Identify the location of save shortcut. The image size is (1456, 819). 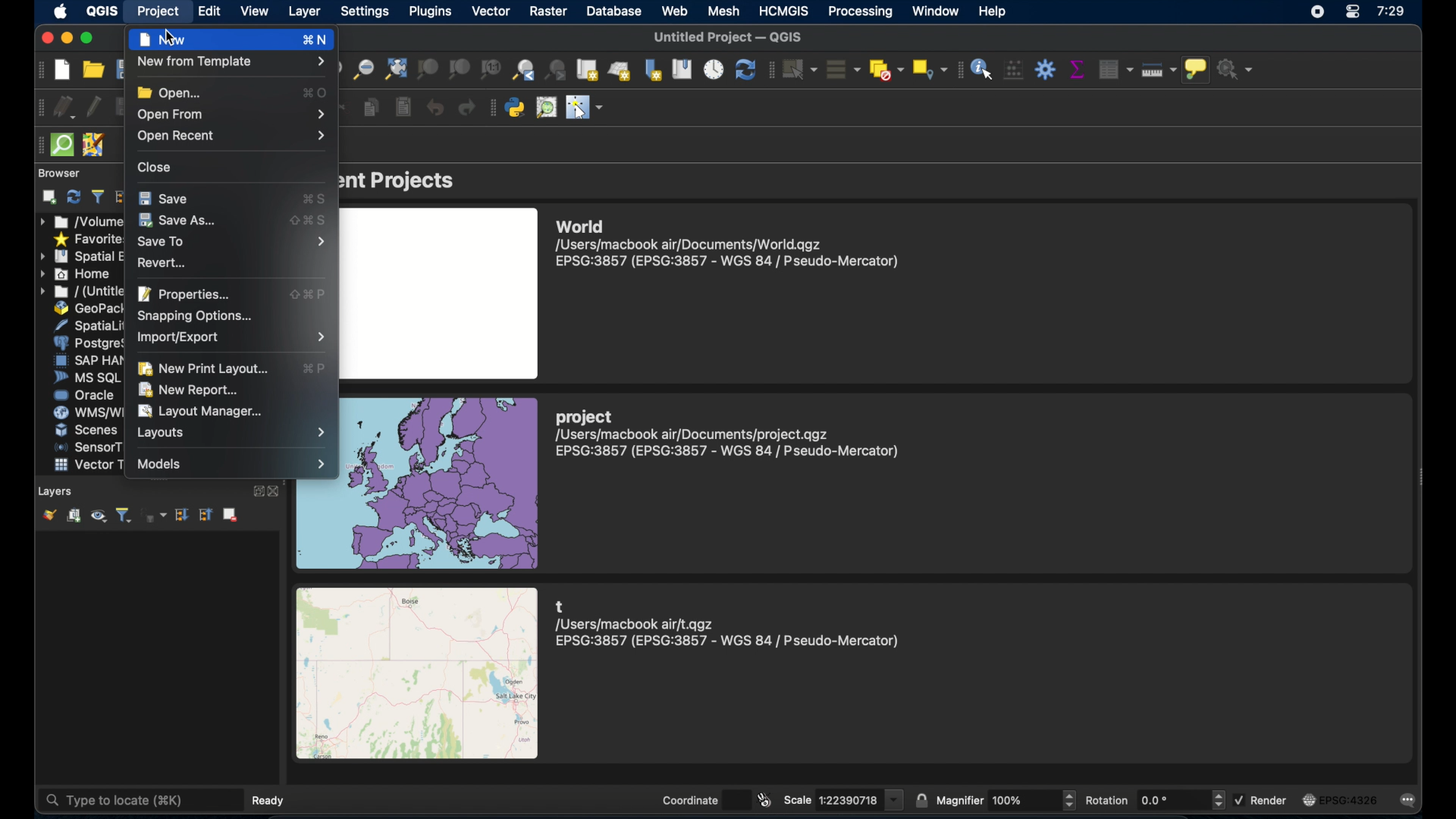
(315, 199).